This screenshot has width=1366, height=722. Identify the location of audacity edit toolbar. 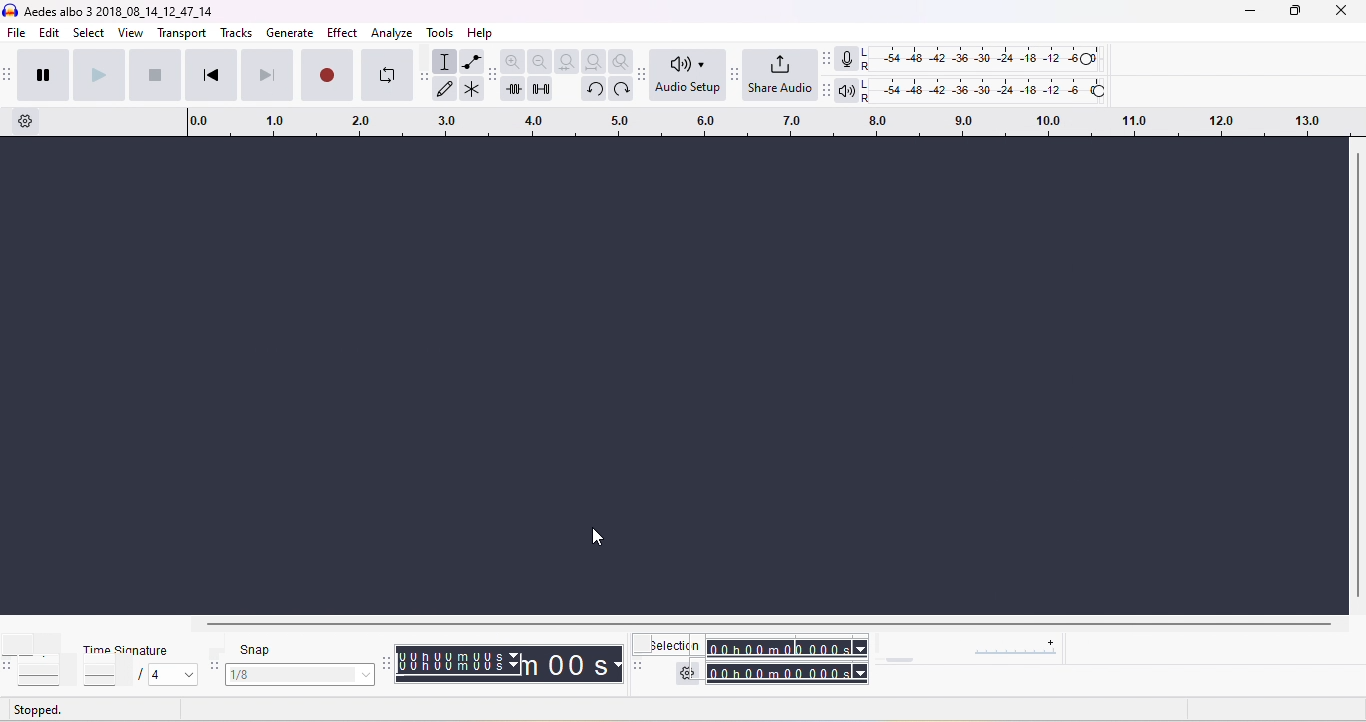
(492, 74).